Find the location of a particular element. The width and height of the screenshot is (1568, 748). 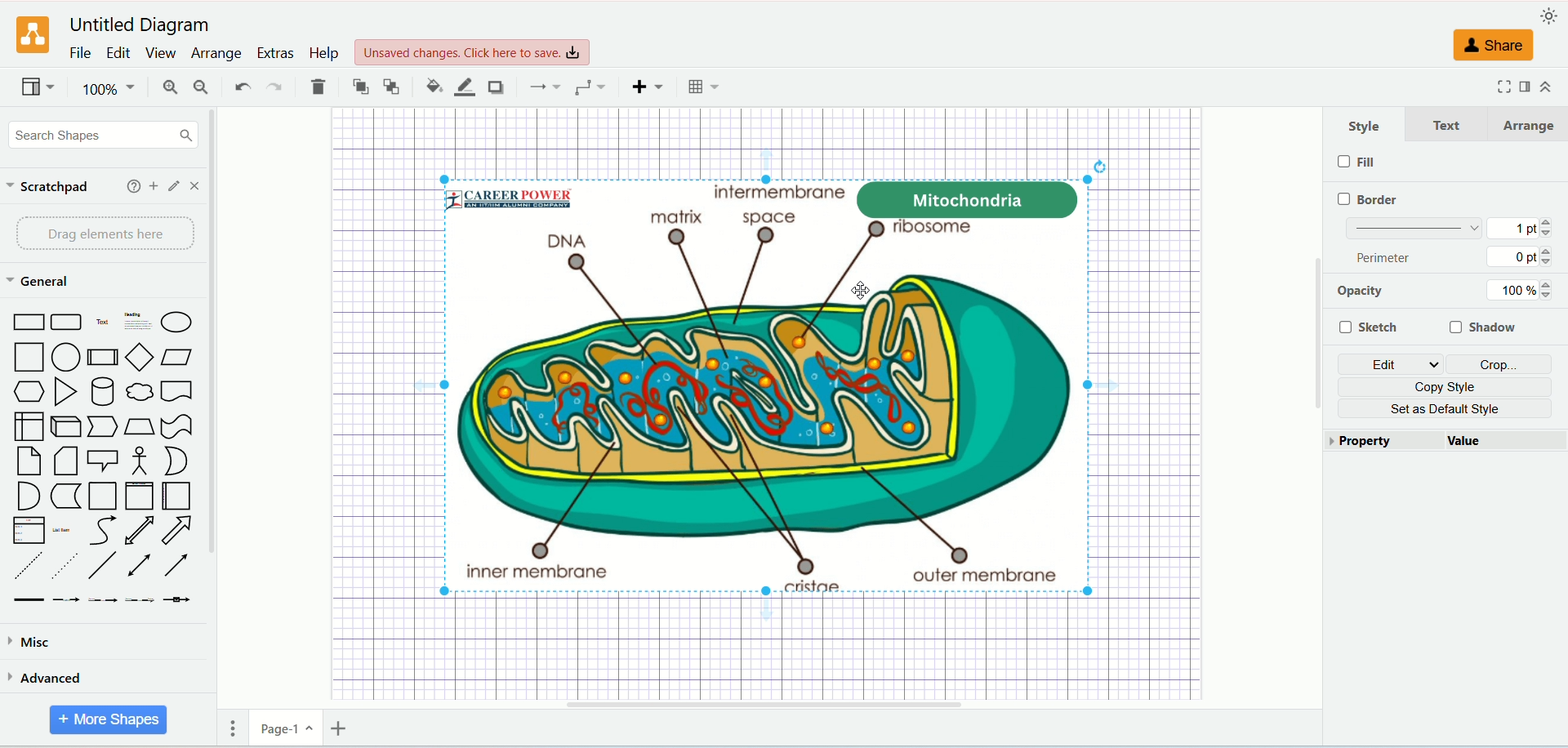

And is located at coordinates (29, 496).